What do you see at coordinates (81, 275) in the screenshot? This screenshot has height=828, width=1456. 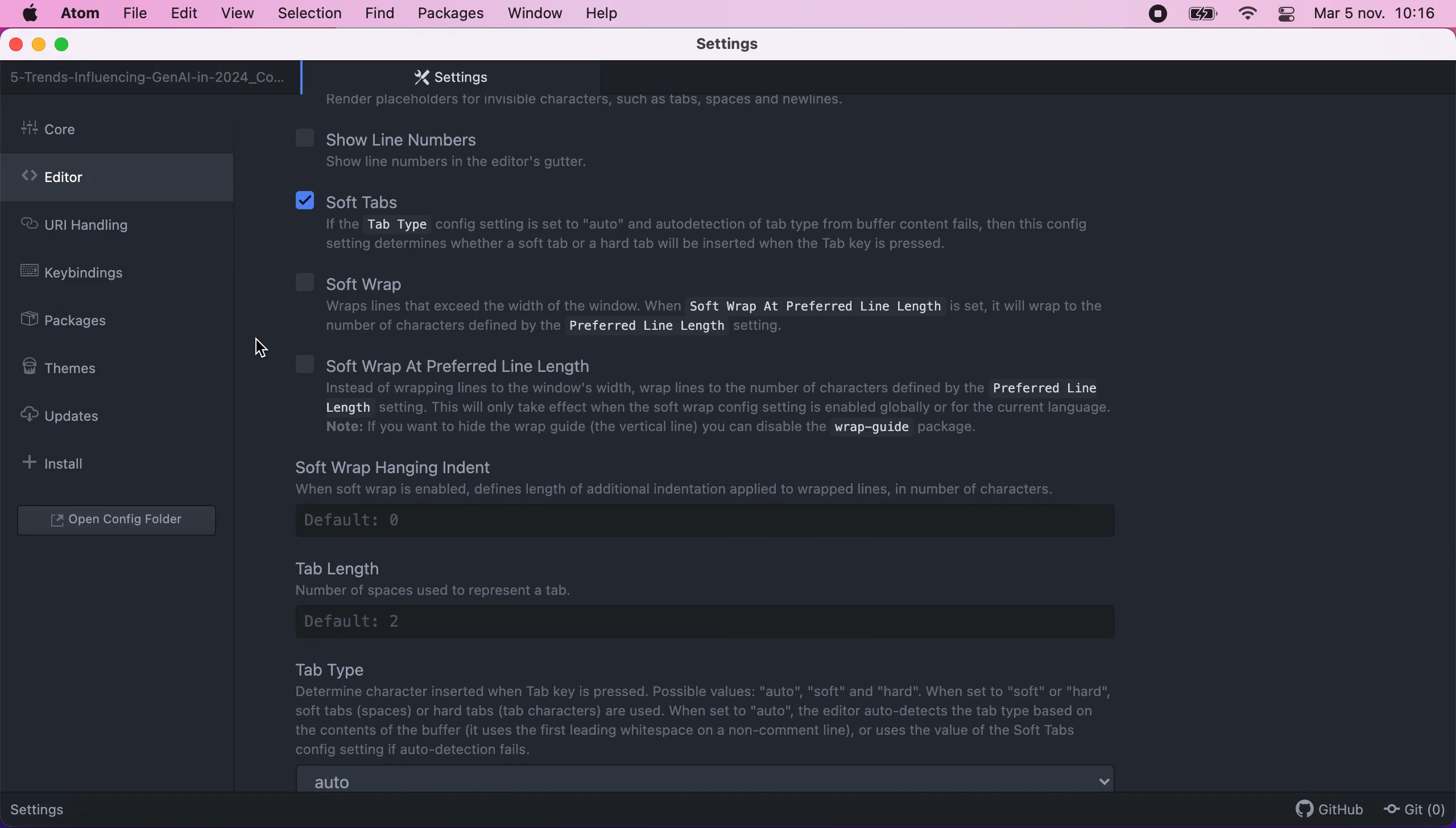 I see `keybindings` at bounding box center [81, 275].